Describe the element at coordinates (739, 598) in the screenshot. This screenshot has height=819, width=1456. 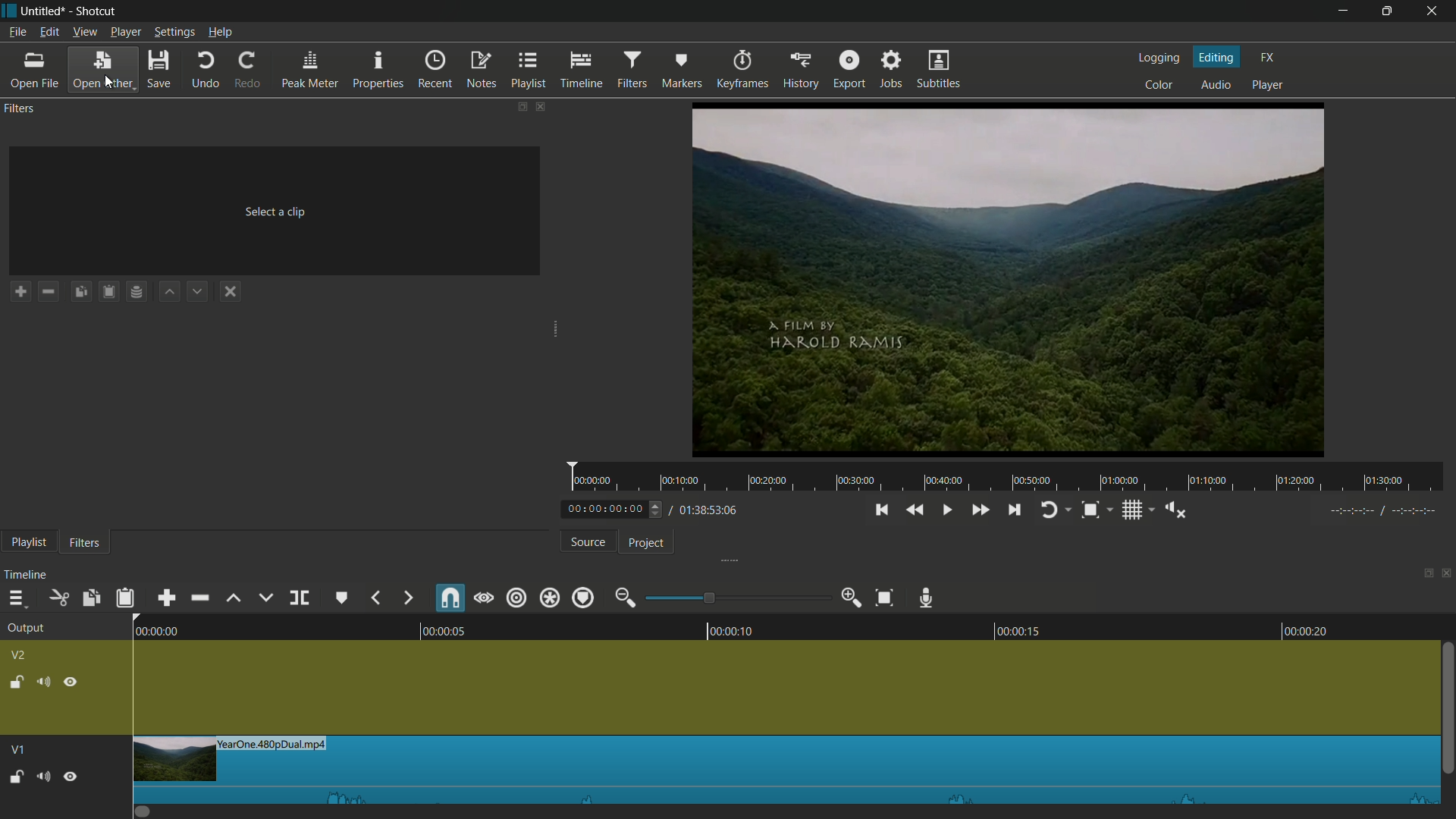
I see `adjustment bar` at that location.